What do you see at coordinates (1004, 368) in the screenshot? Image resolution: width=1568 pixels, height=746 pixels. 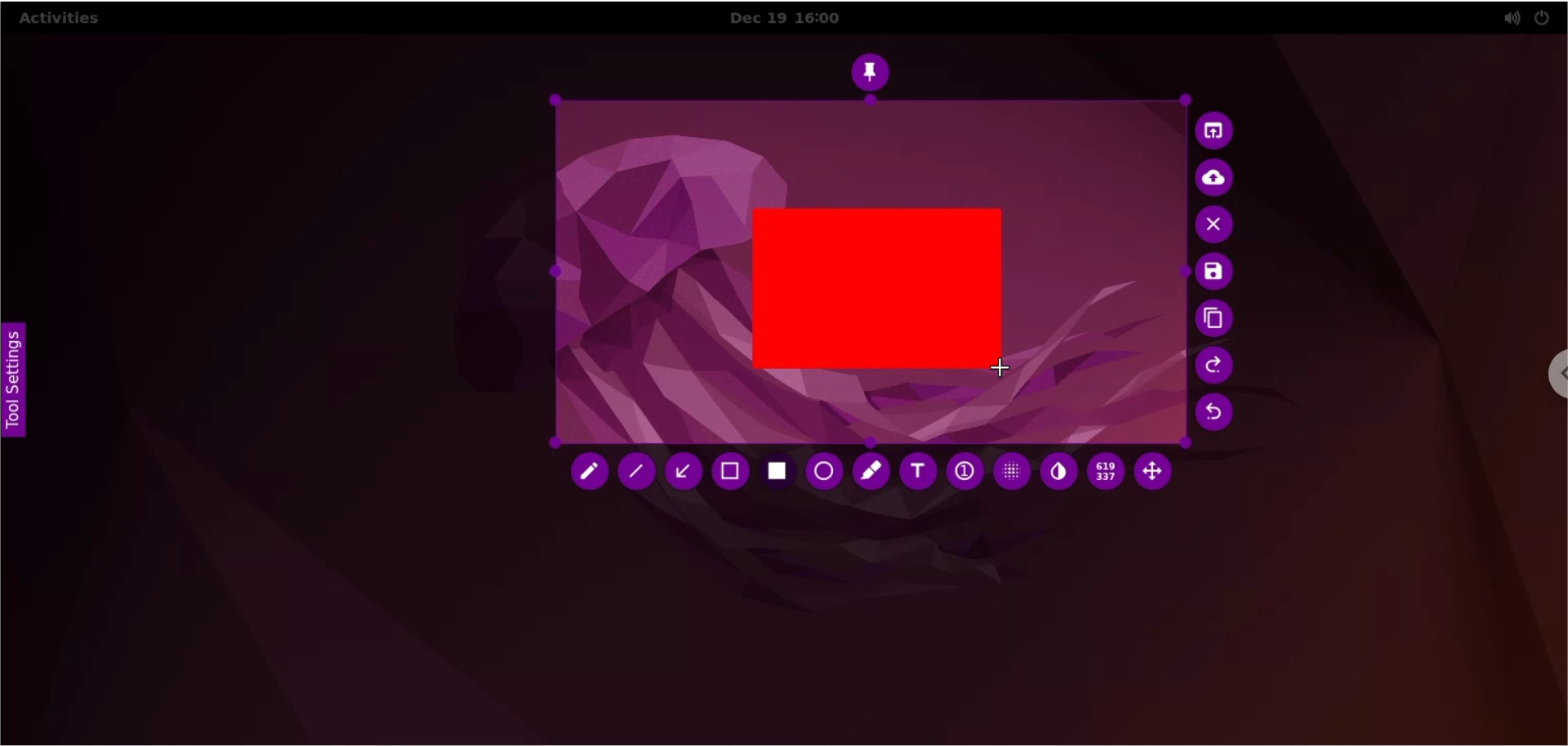 I see `cursor` at bounding box center [1004, 368].